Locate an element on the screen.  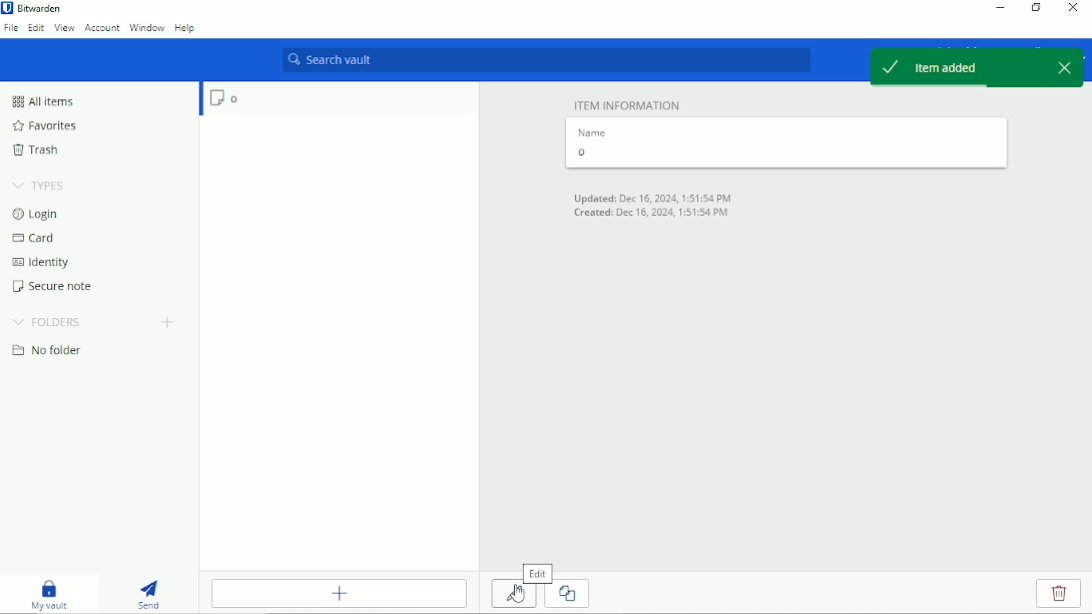
Edit is located at coordinates (537, 571).